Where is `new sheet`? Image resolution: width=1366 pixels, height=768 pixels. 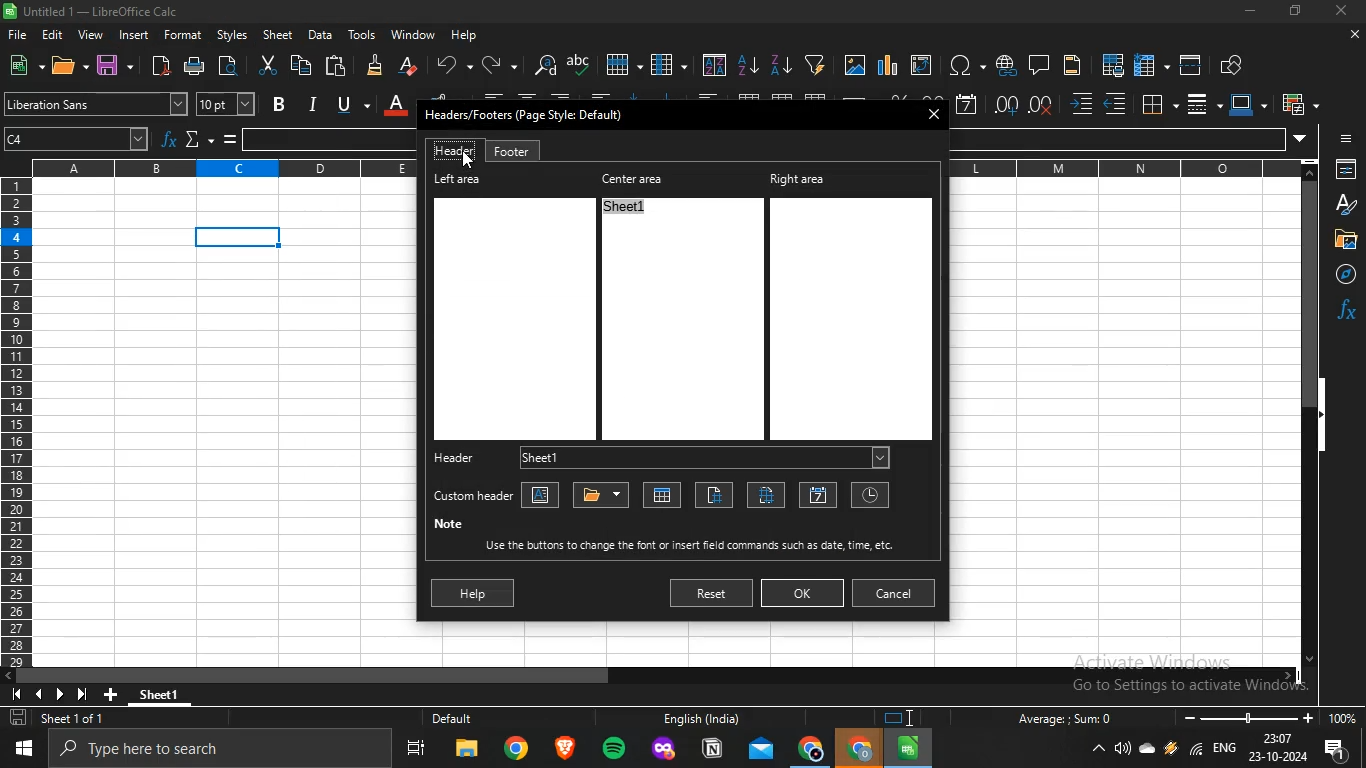 new sheet is located at coordinates (115, 692).